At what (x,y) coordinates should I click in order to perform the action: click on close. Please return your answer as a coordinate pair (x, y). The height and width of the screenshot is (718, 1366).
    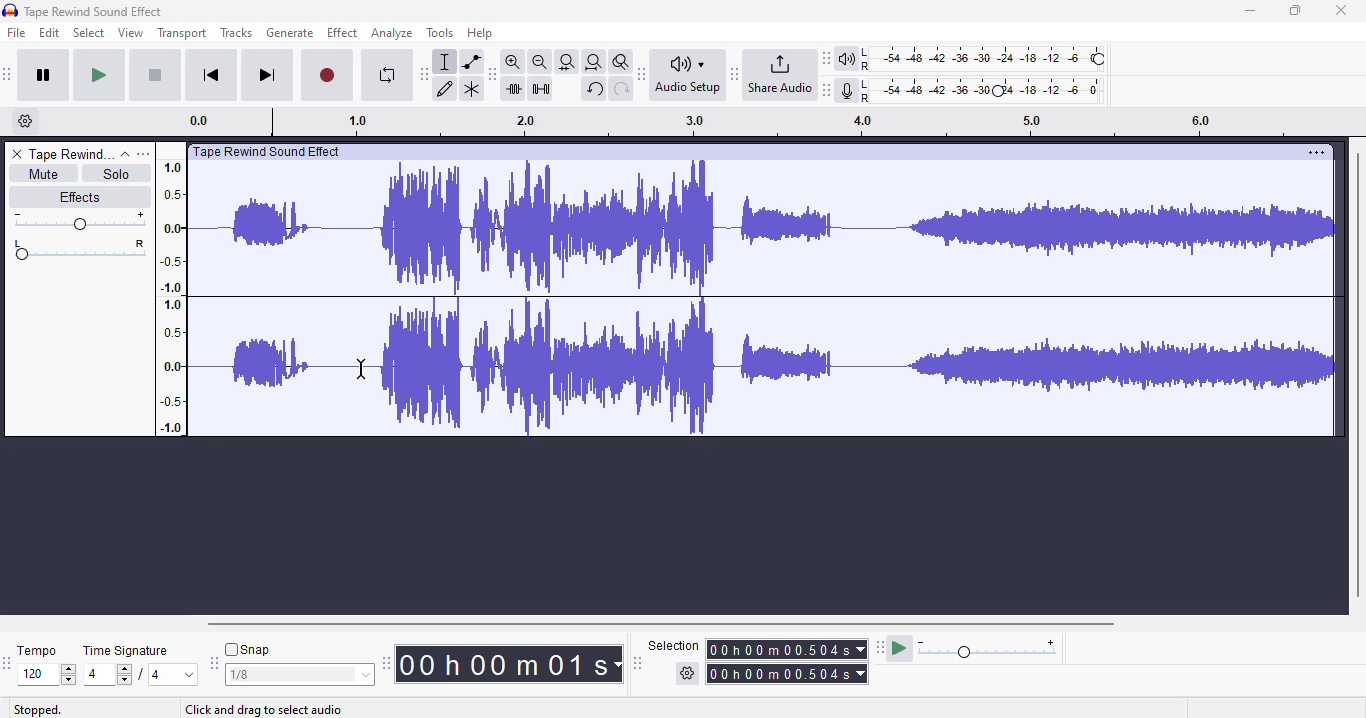
    Looking at the image, I should click on (1340, 10).